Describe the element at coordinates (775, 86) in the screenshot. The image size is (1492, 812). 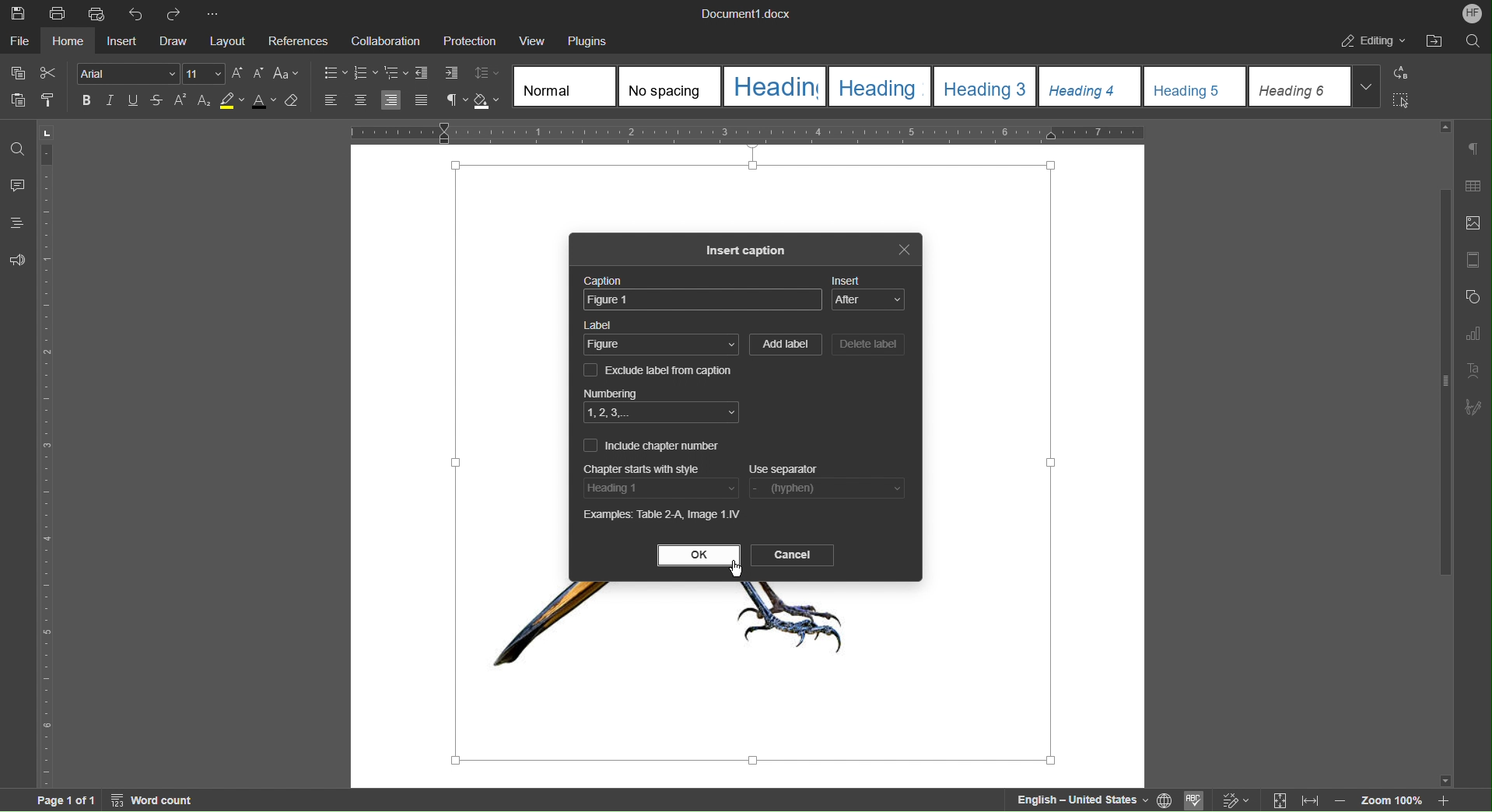
I see `Heading 1` at that location.